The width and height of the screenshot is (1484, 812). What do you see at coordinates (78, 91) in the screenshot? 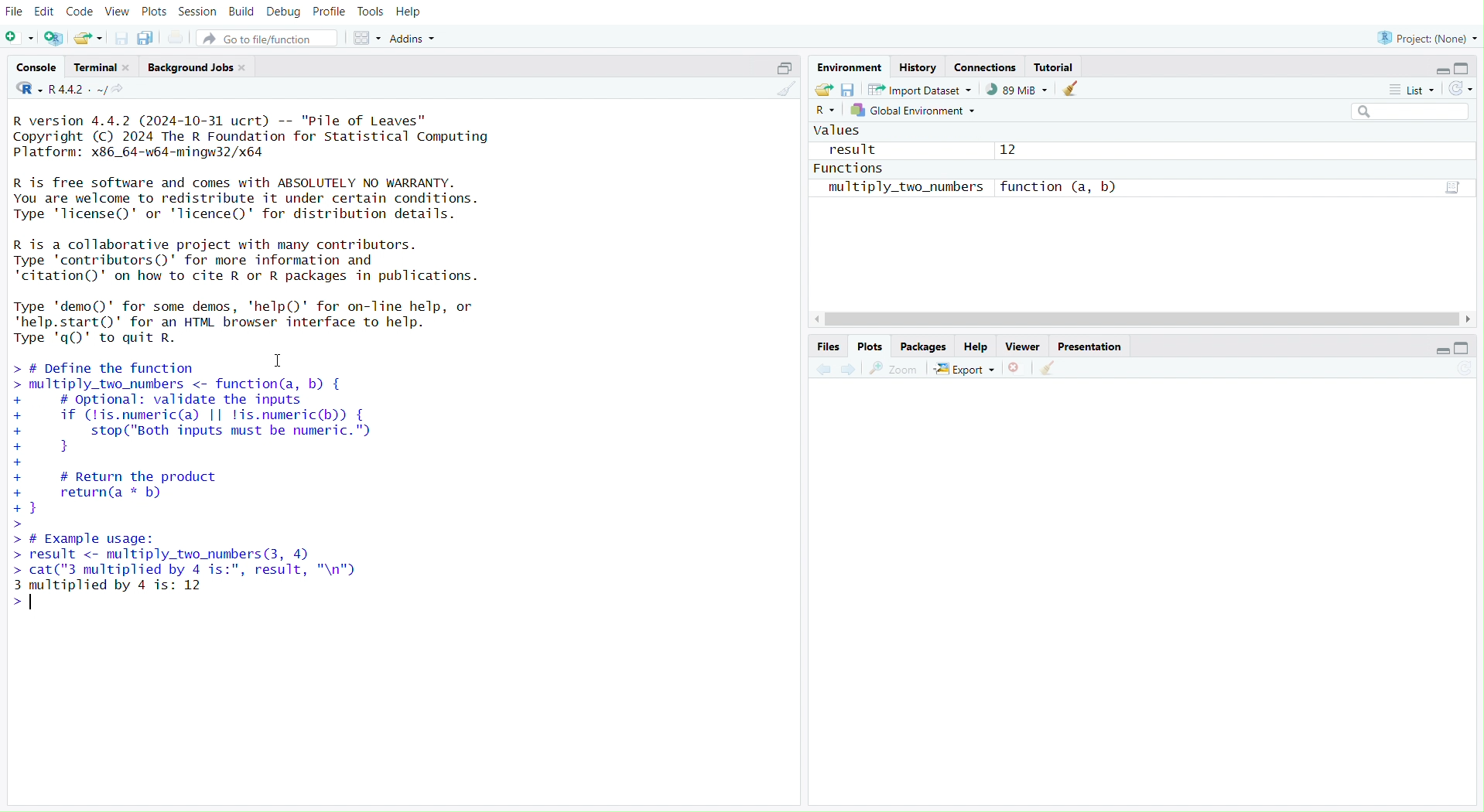
I see `R 4.4.2~/` at bounding box center [78, 91].